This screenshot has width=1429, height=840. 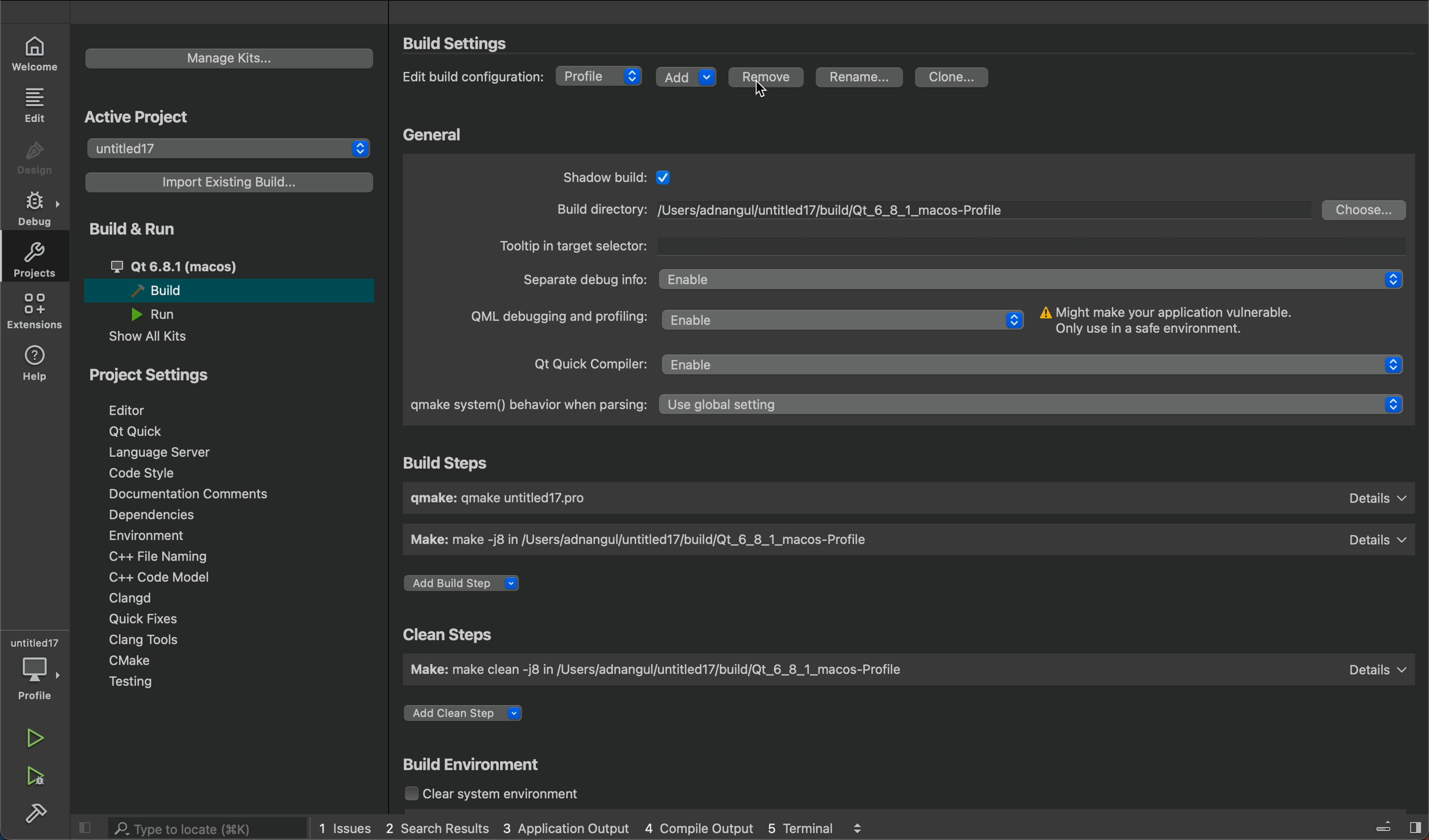 What do you see at coordinates (650, 541) in the screenshot?
I see `make` at bounding box center [650, 541].